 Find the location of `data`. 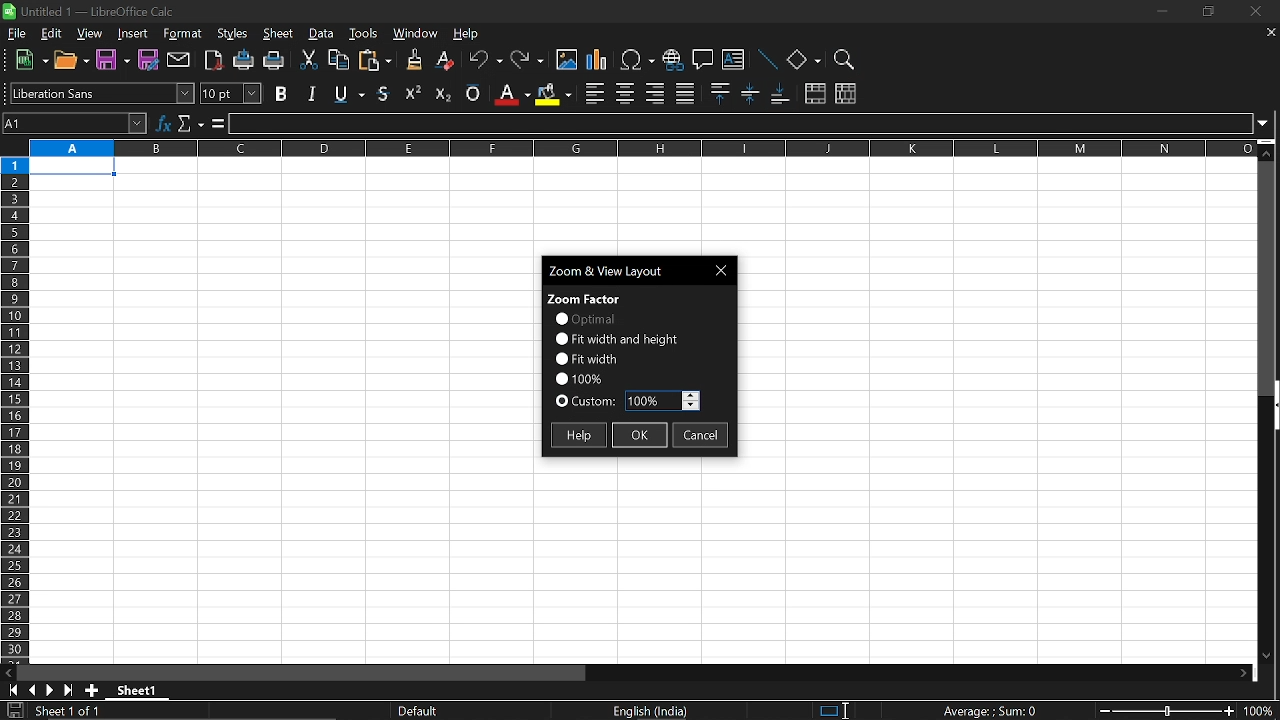

data is located at coordinates (322, 34).